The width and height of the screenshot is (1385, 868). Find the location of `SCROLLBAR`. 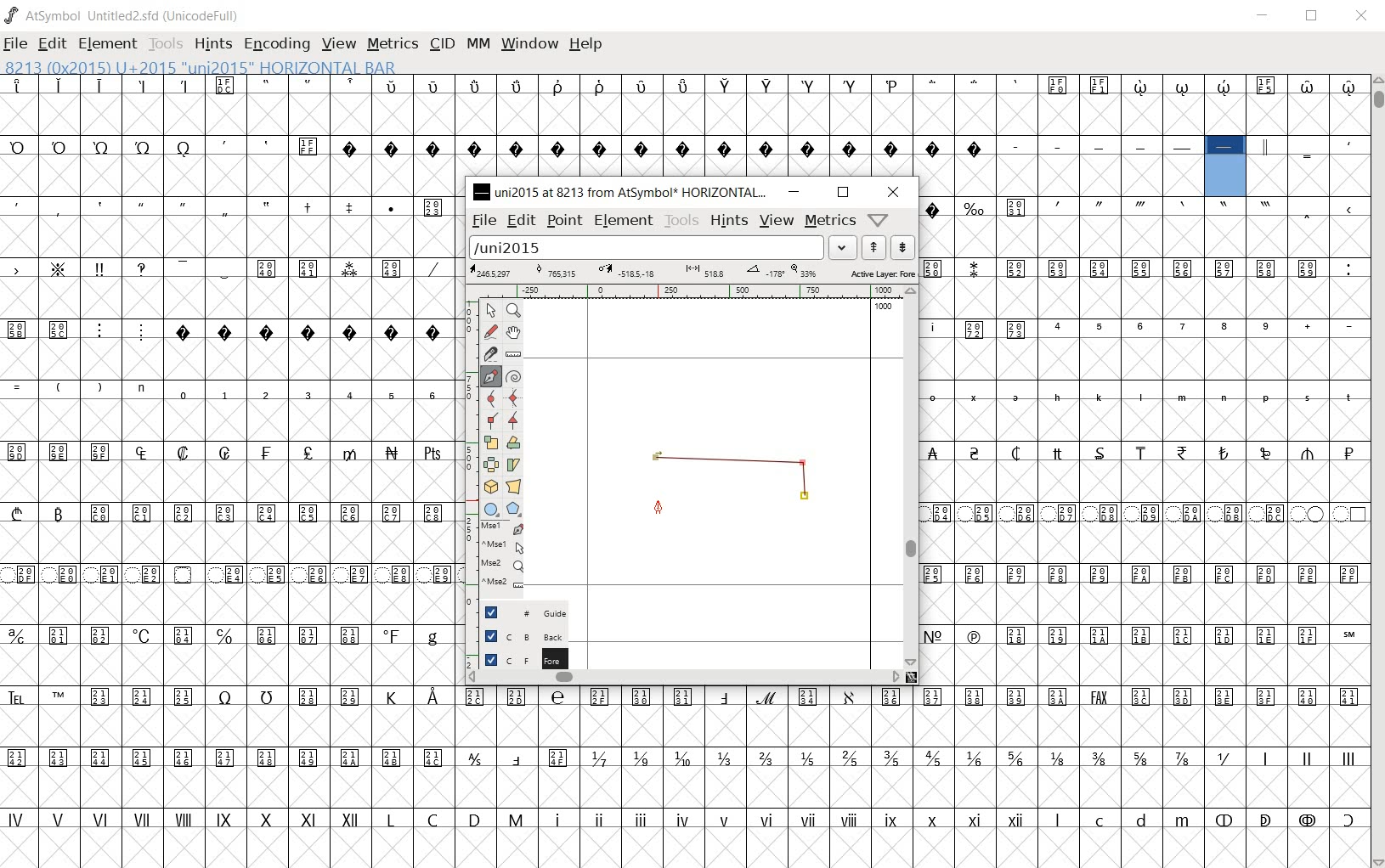

SCROLLBAR is located at coordinates (1378, 471).